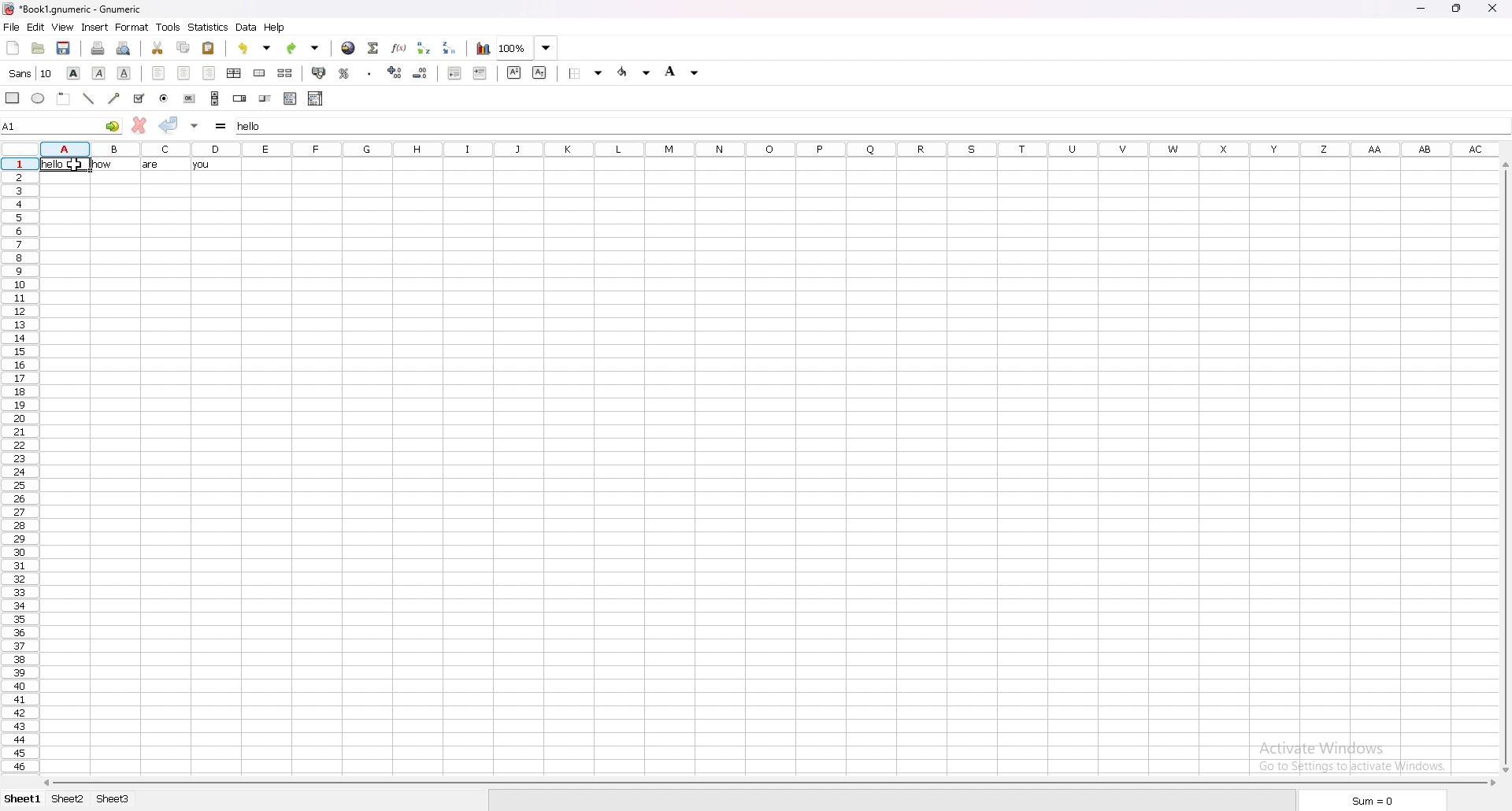 This screenshot has height=811, width=1512. What do you see at coordinates (455, 73) in the screenshot?
I see `decrease indent` at bounding box center [455, 73].